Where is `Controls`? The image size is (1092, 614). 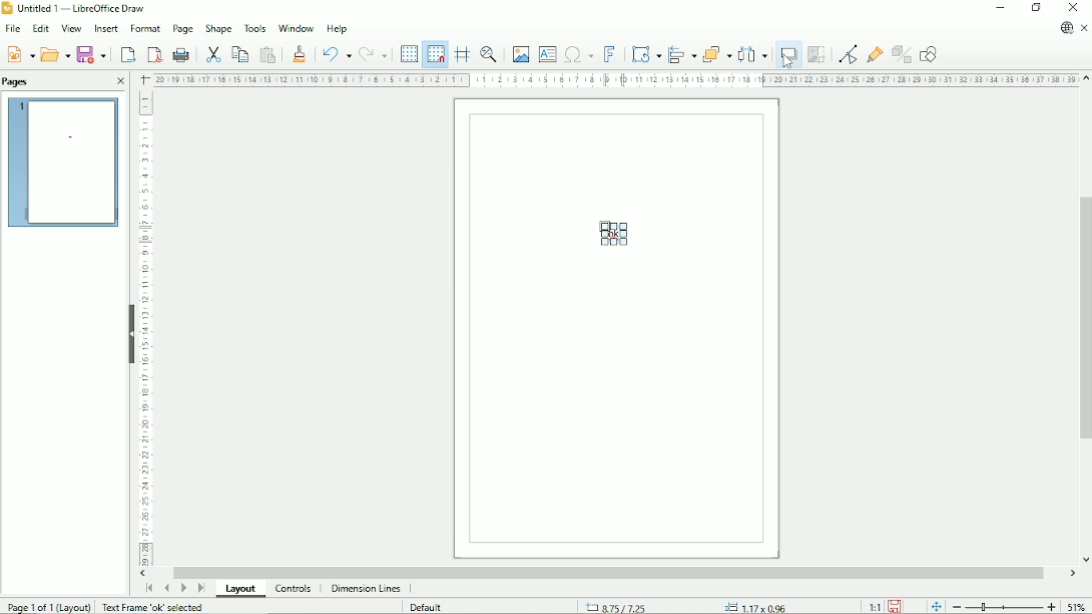
Controls is located at coordinates (293, 589).